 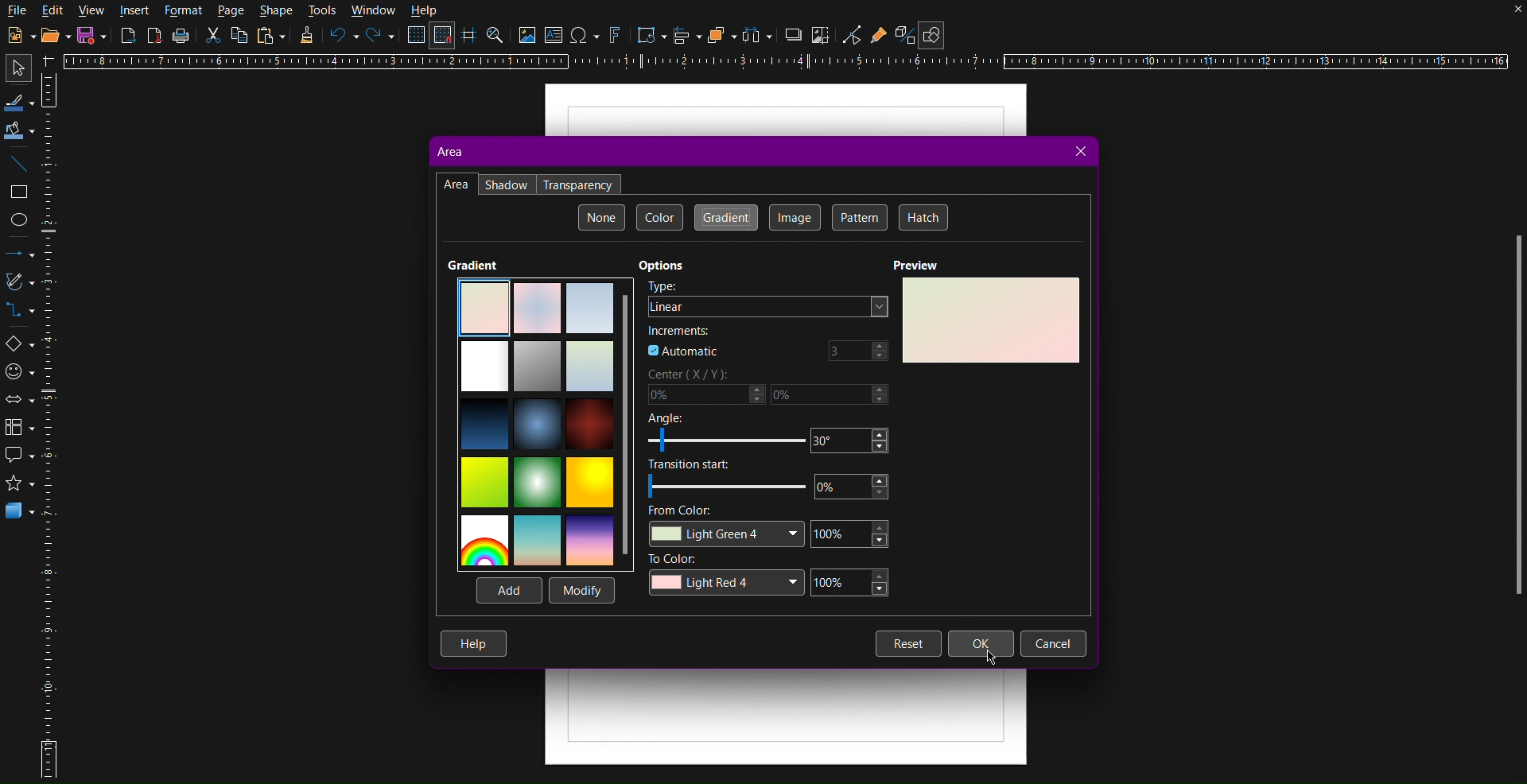 What do you see at coordinates (323, 11) in the screenshot?
I see `Tools` at bounding box center [323, 11].